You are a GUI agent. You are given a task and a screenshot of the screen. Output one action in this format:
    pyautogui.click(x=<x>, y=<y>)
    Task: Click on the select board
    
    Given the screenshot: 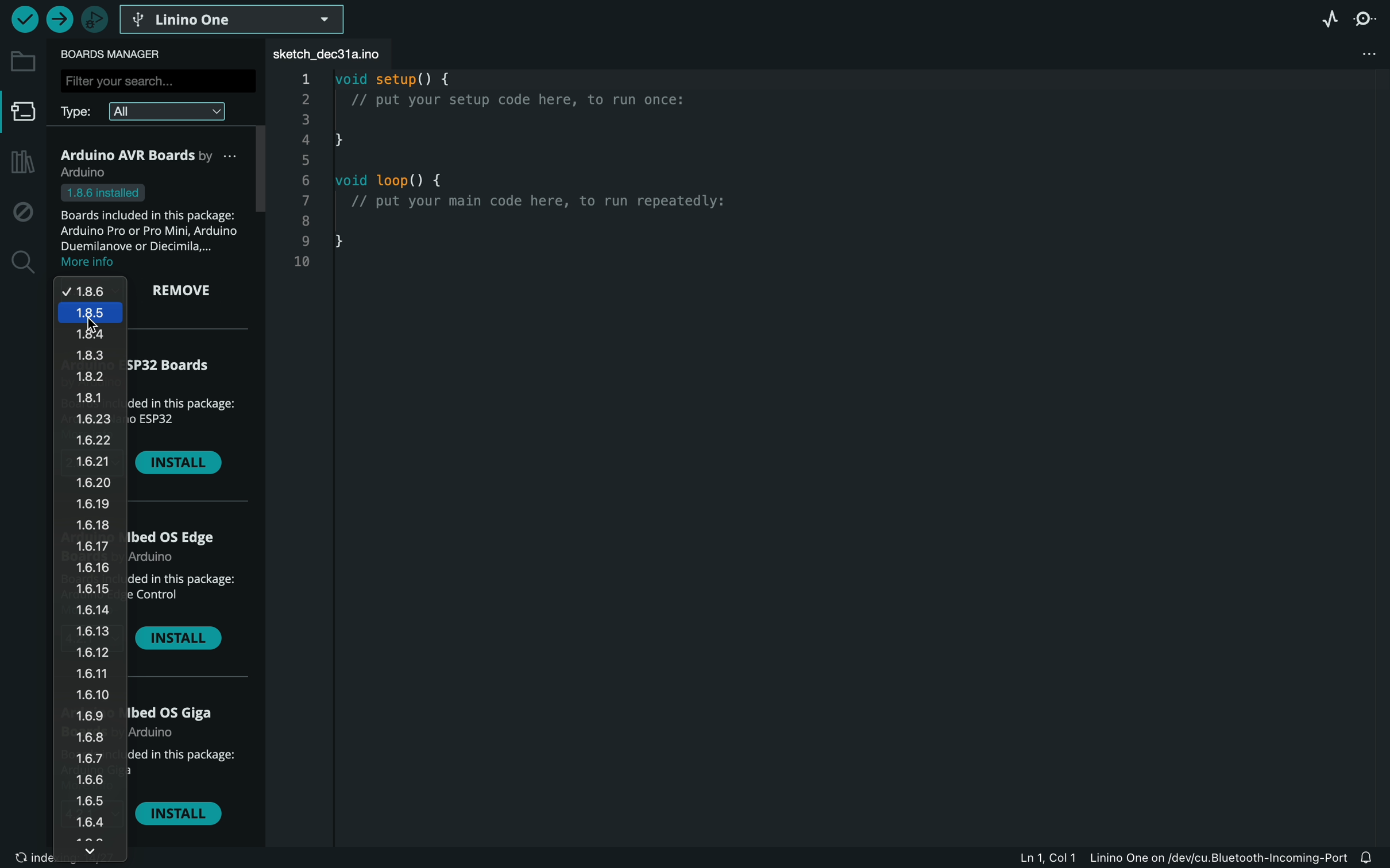 What is the action you would take?
    pyautogui.click(x=234, y=18)
    